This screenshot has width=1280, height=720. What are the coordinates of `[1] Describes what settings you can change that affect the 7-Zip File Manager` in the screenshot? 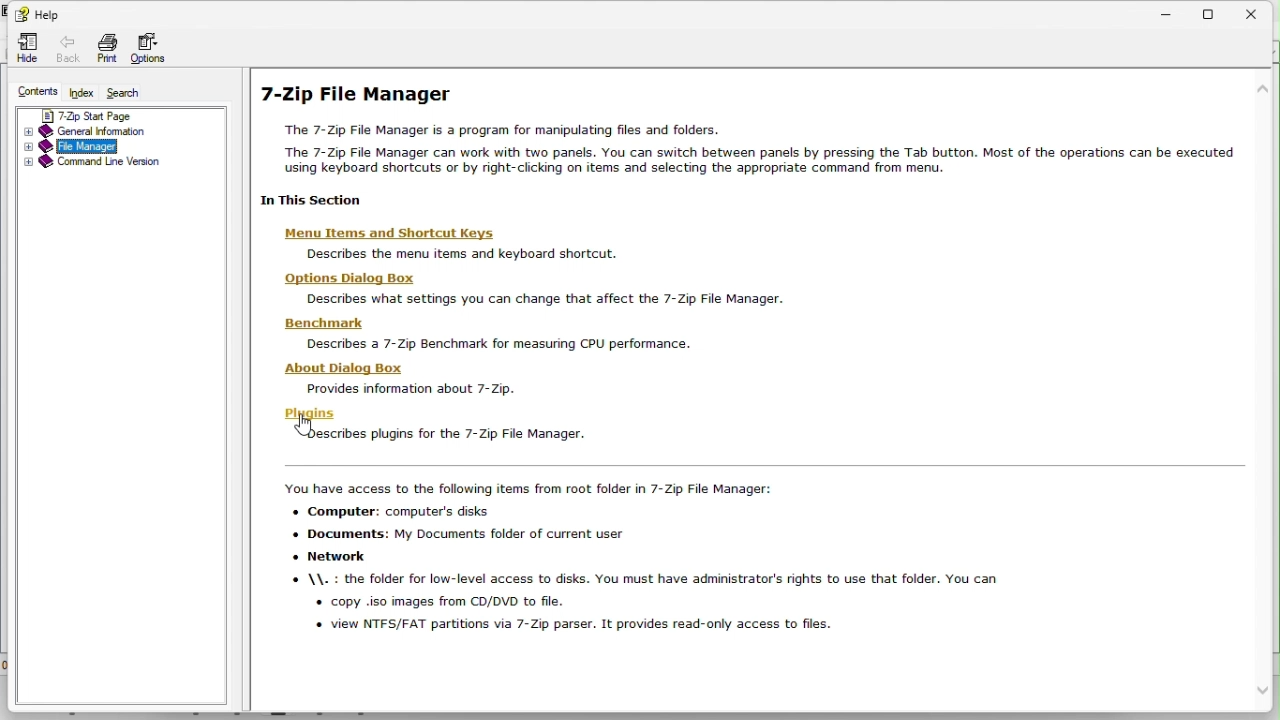 It's located at (544, 301).